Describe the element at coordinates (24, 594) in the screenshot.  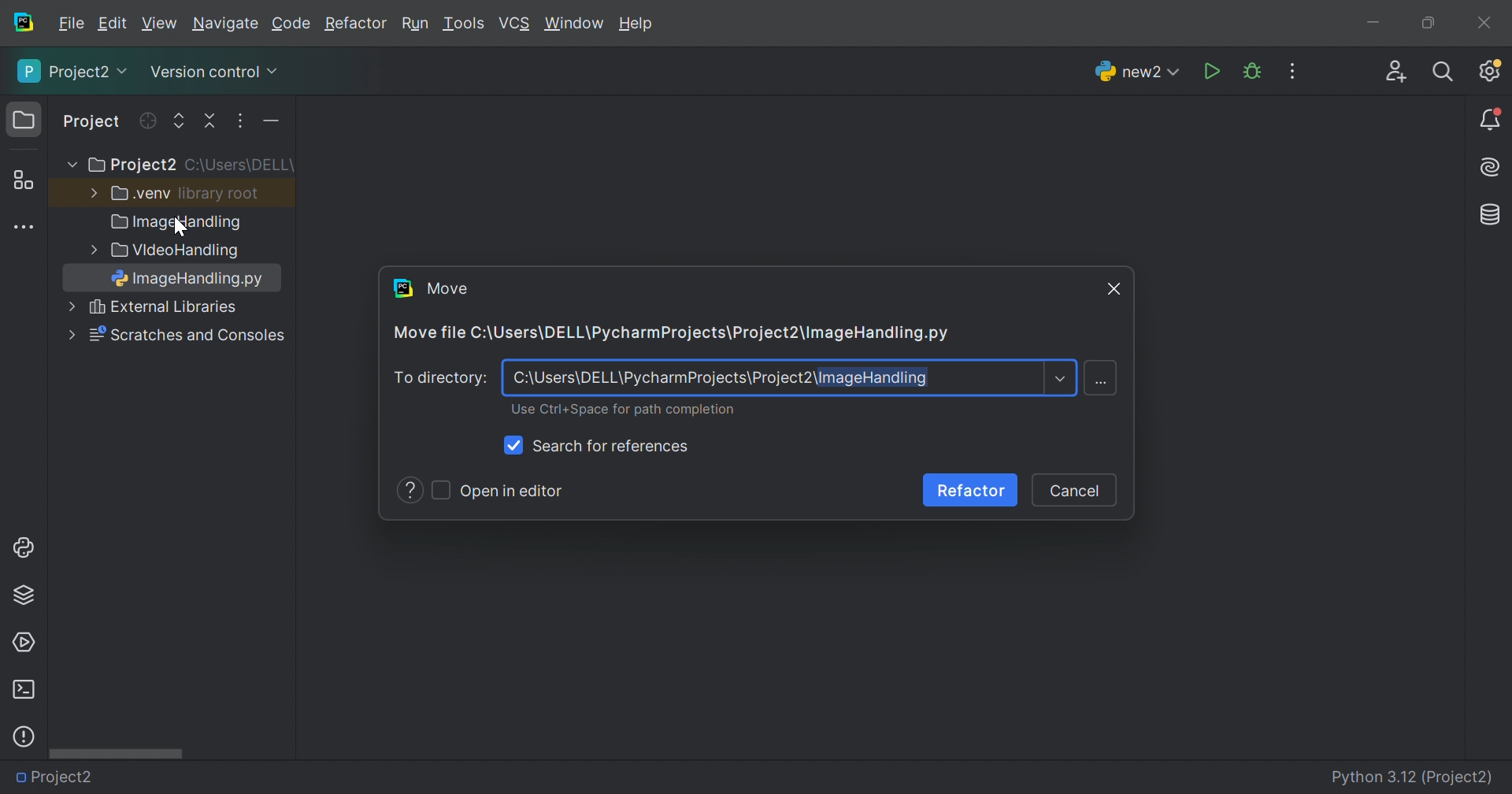
I see `Python packages` at that location.